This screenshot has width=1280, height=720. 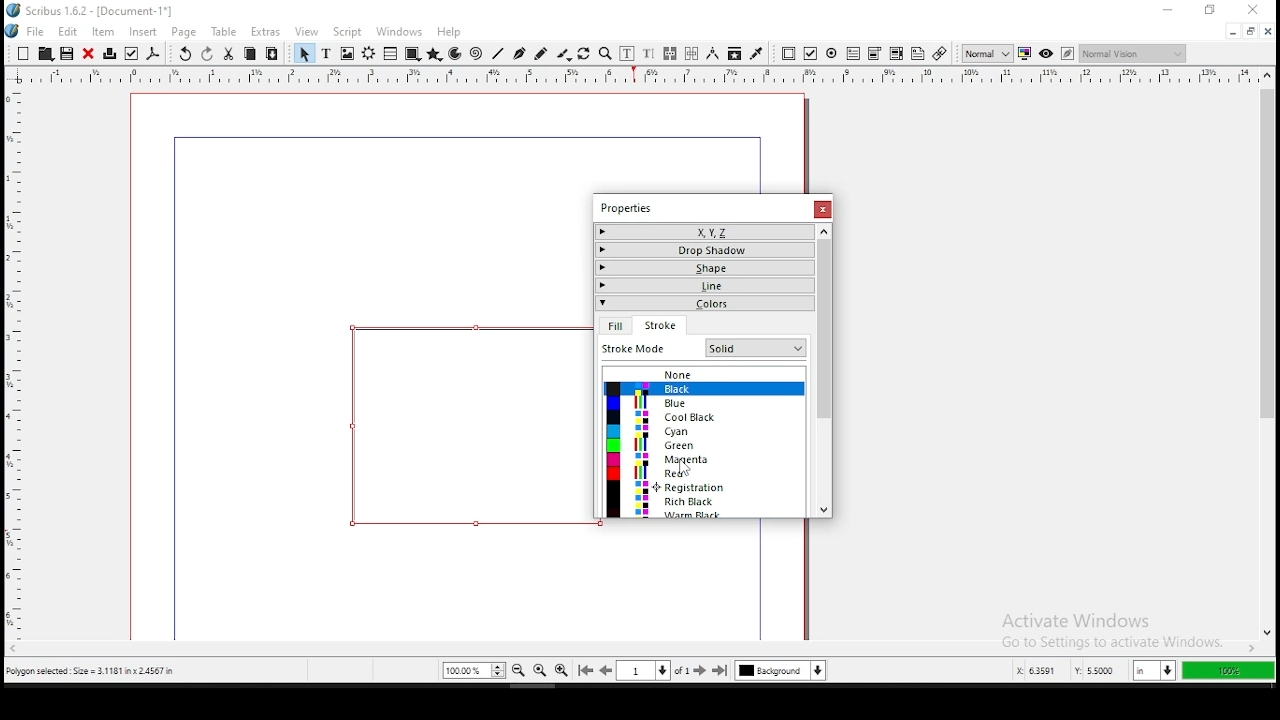 What do you see at coordinates (412, 54) in the screenshot?
I see `shape` at bounding box center [412, 54].